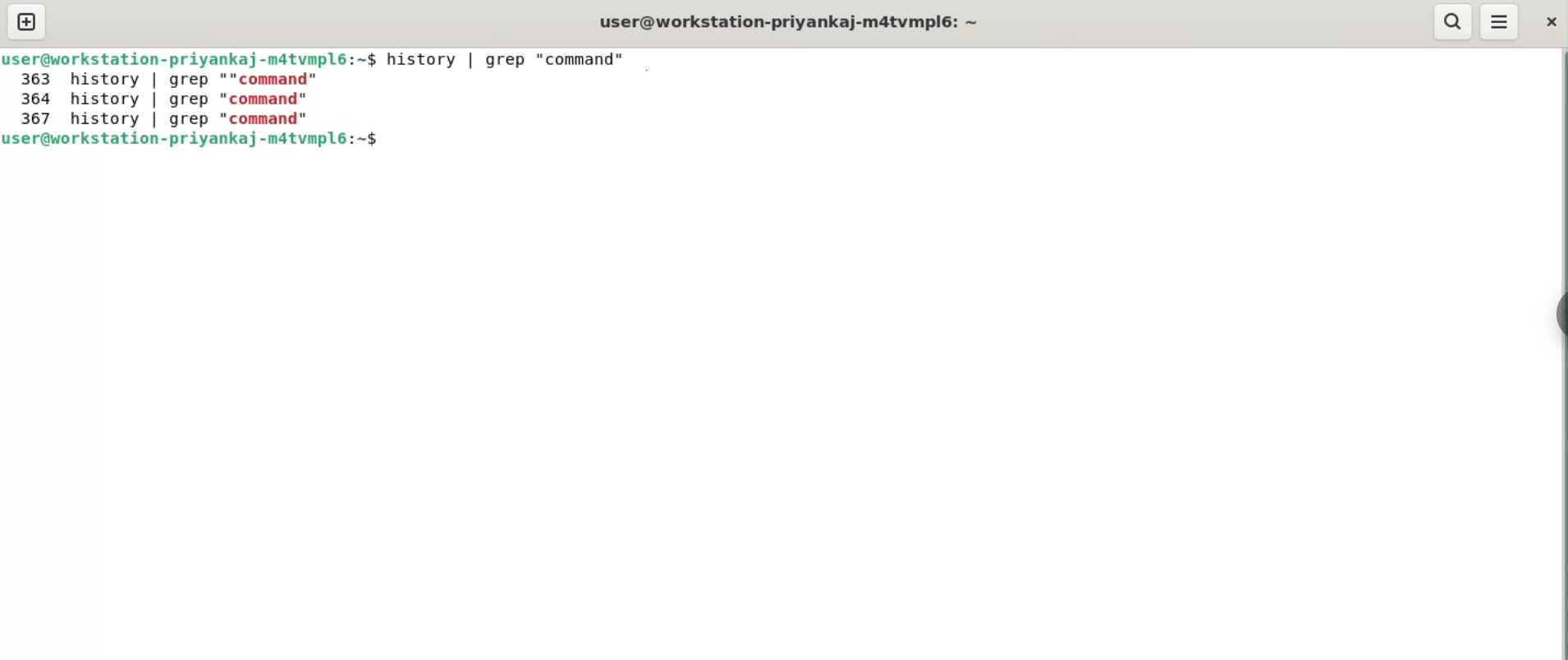 The image size is (1568, 660). Describe the element at coordinates (199, 140) in the screenshot. I see `user@workstation-priyankaj-matvmpl6:~$` at that location.